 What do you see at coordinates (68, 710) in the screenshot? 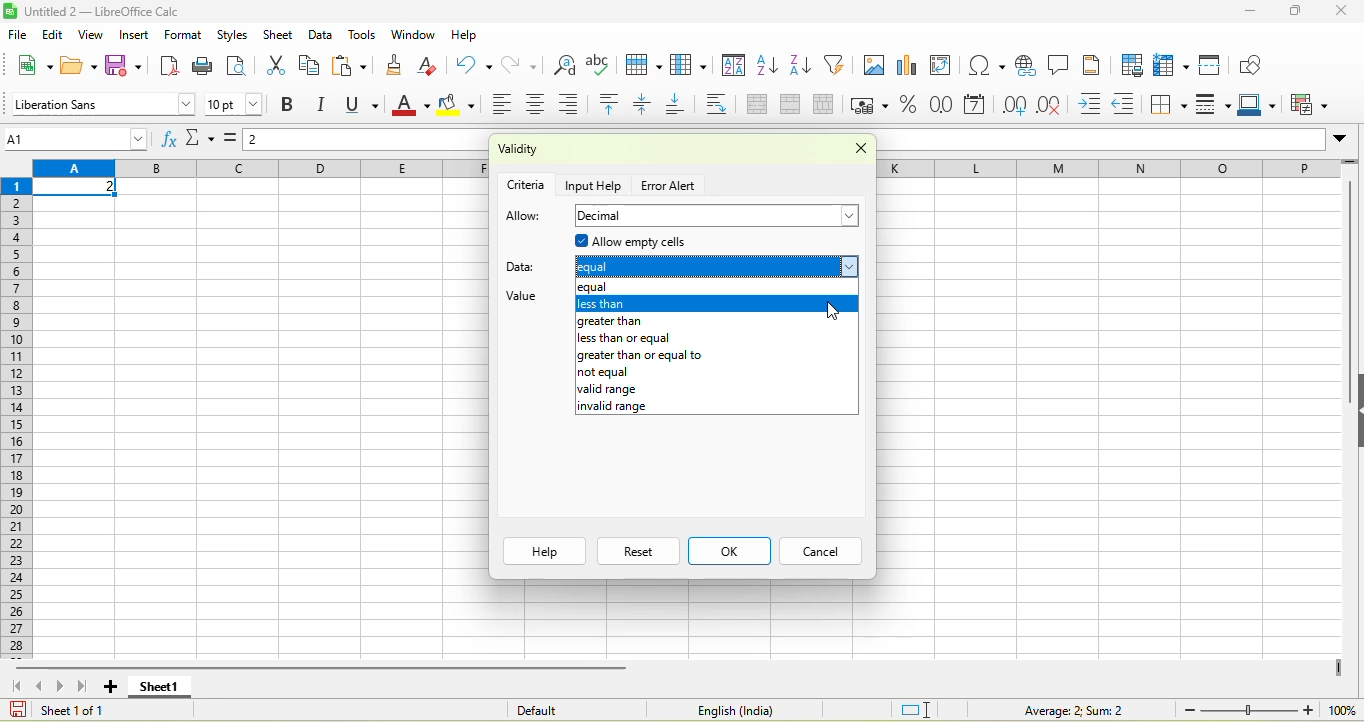
I see `sheet 1 0f 1` at bounding box center [68, 710].